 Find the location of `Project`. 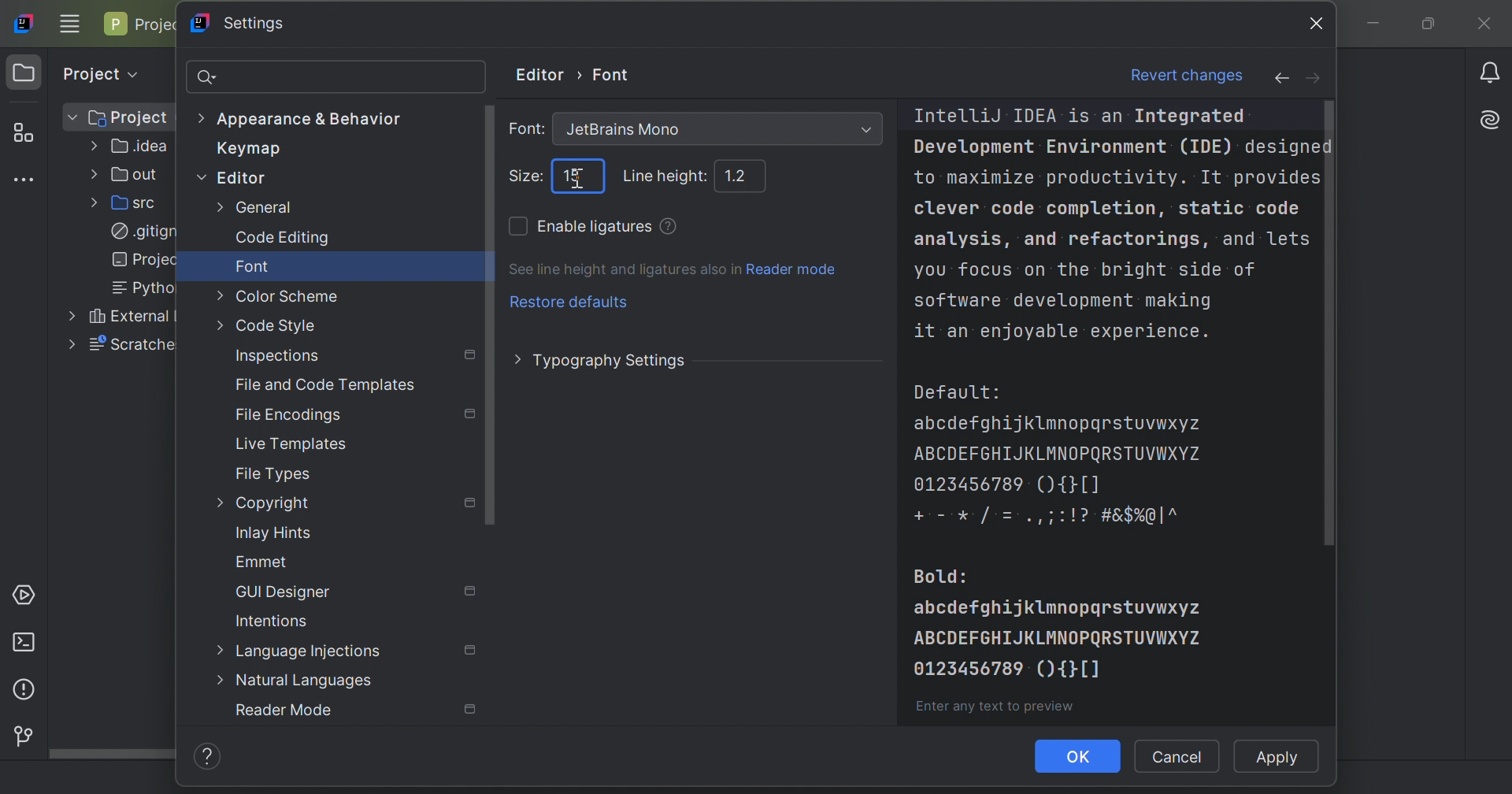

Project is located at coordinates (117, 118).